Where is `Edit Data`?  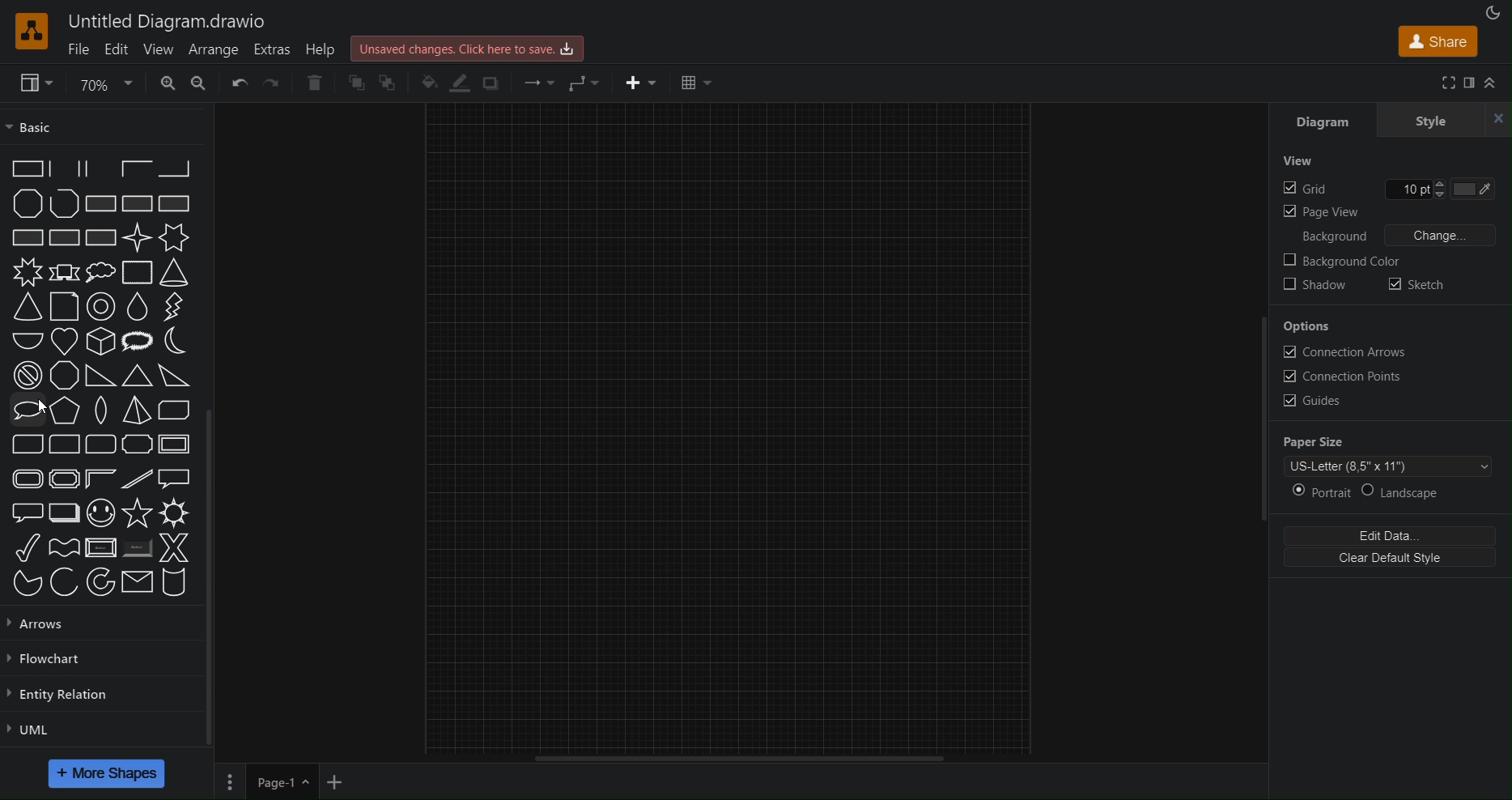 Edit Data is located at coordinates (1391, 535).